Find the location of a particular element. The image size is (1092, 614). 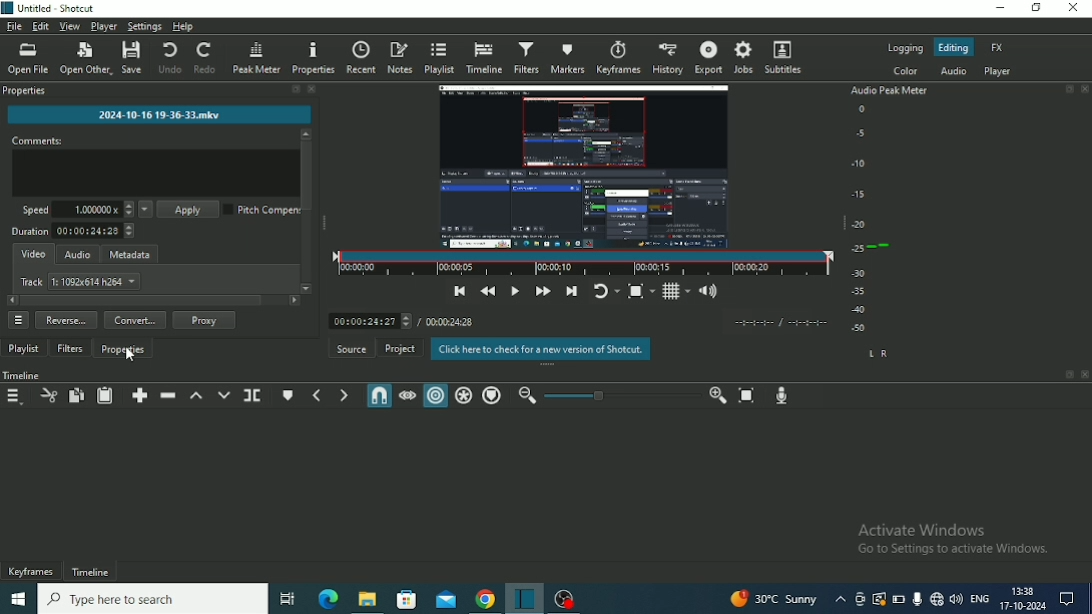

Show all hidden icons is located at coordinates (840, 600).